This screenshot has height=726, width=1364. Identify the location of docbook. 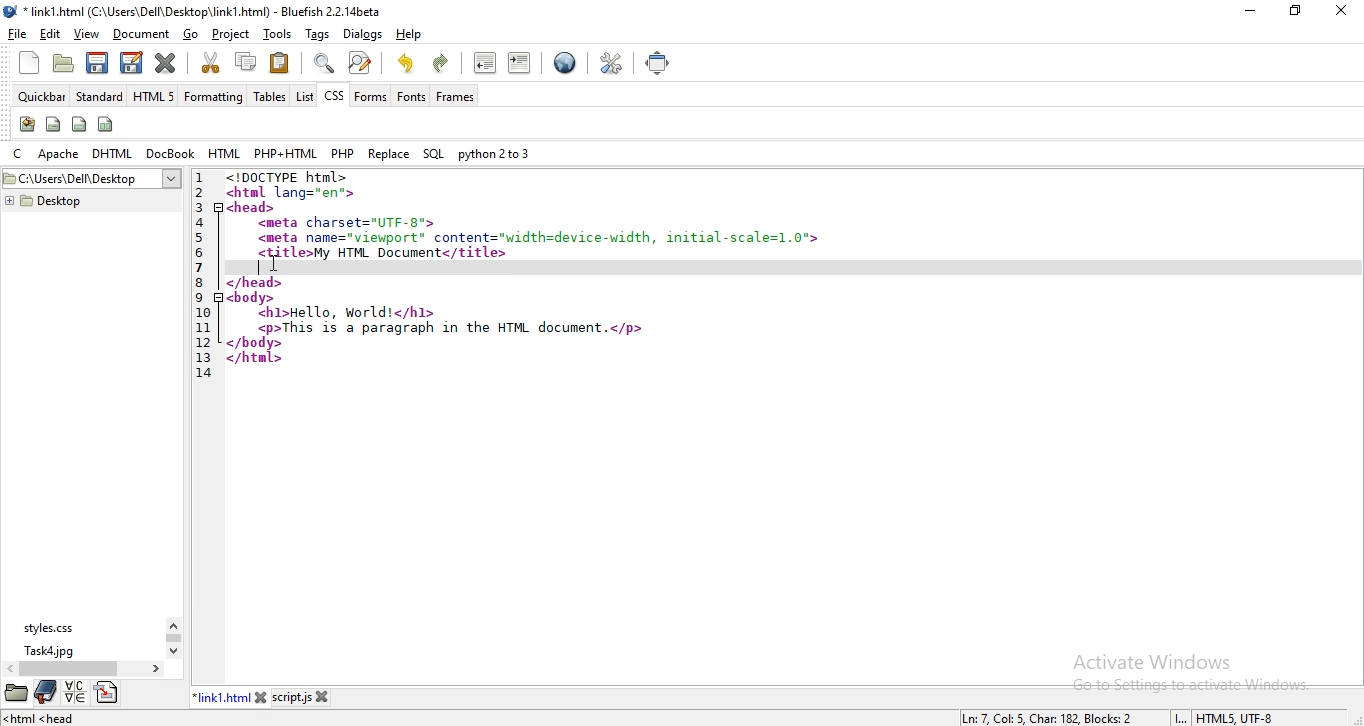
(169, 153).